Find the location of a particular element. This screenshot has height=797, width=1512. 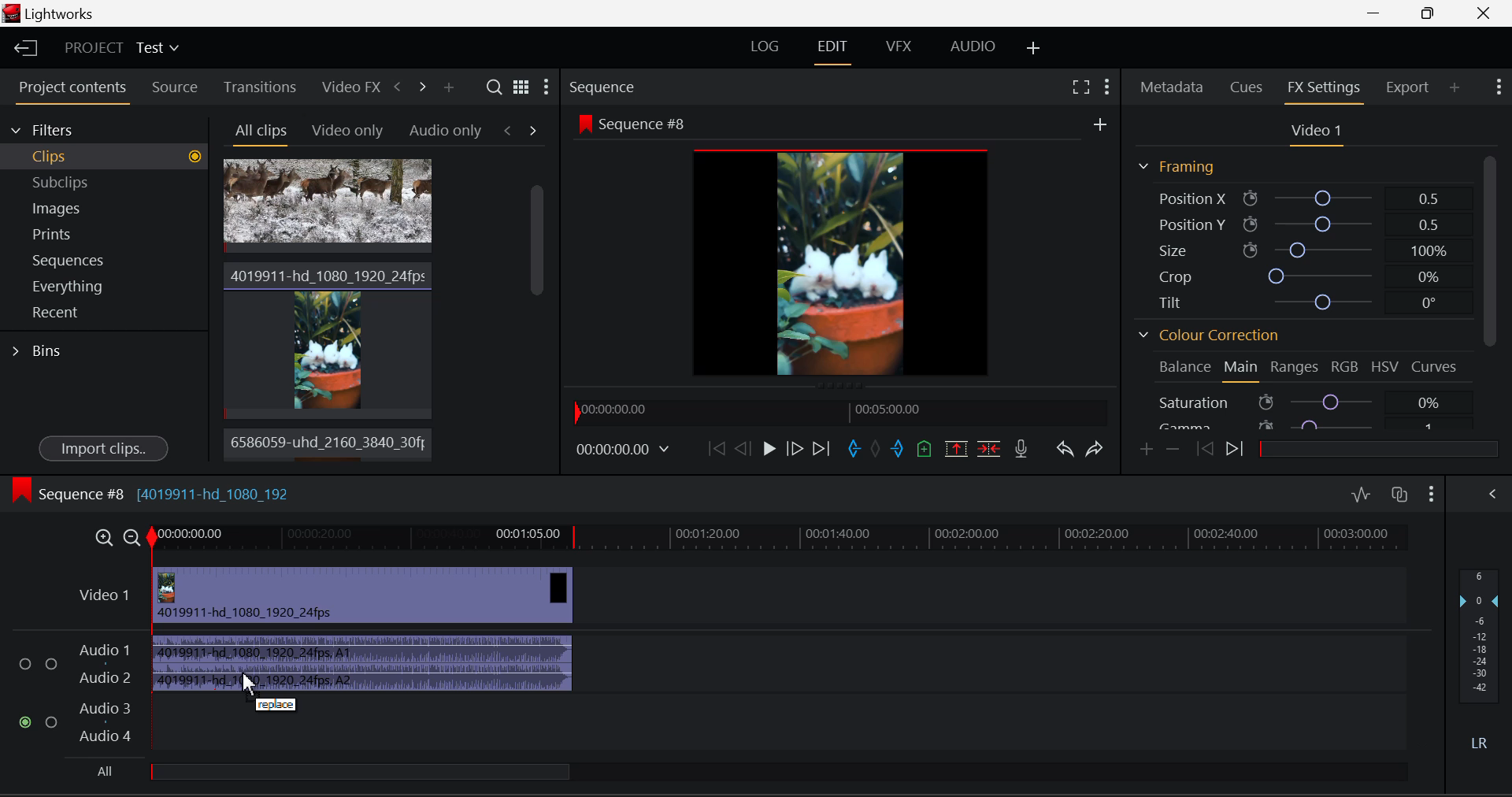

Clips Open is located at coordinates (104, 157).